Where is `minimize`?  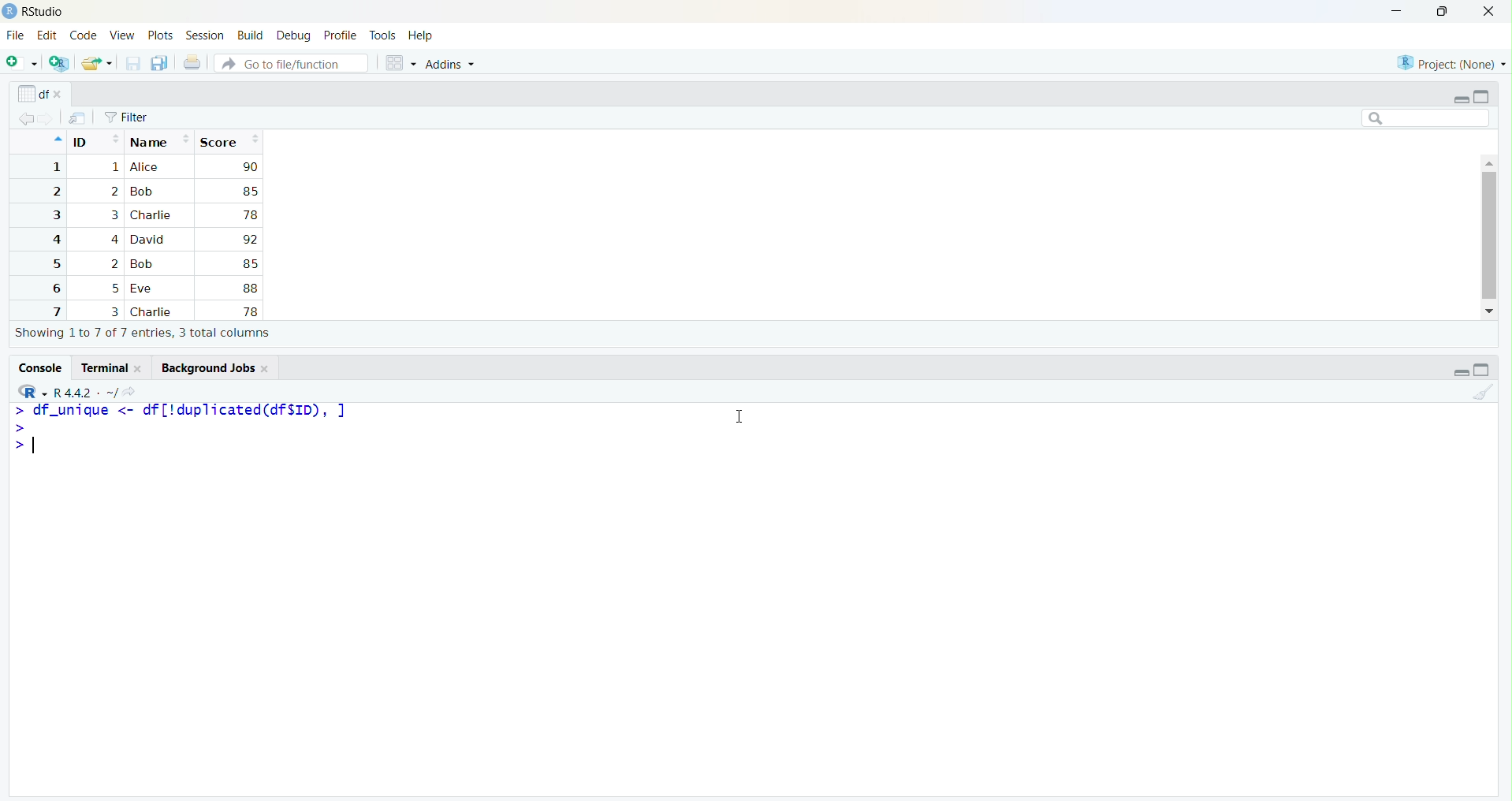 minimize is located at coordinates (1460, 372).